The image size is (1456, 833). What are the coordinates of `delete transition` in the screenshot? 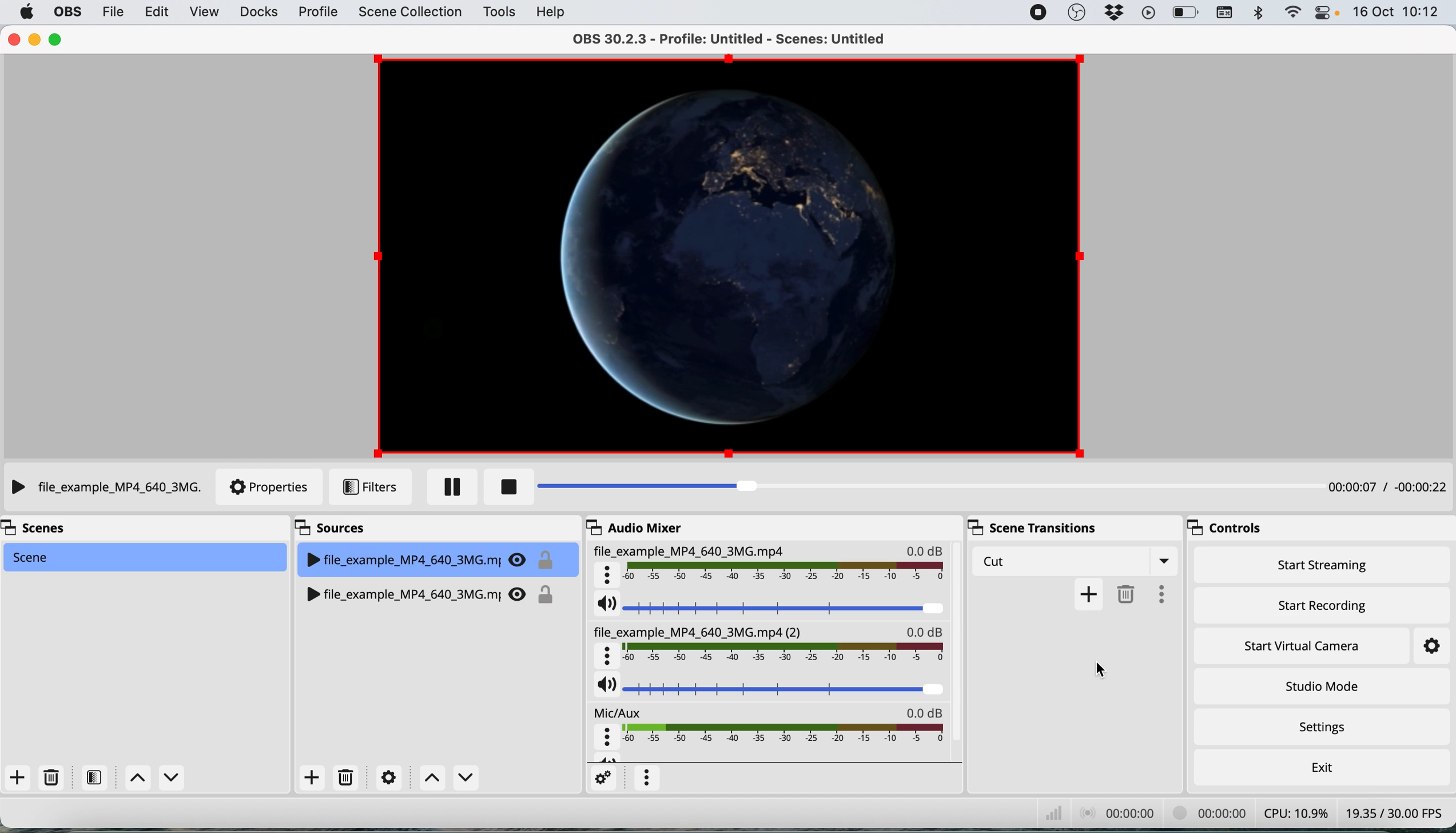 It's located at (1124, 594).